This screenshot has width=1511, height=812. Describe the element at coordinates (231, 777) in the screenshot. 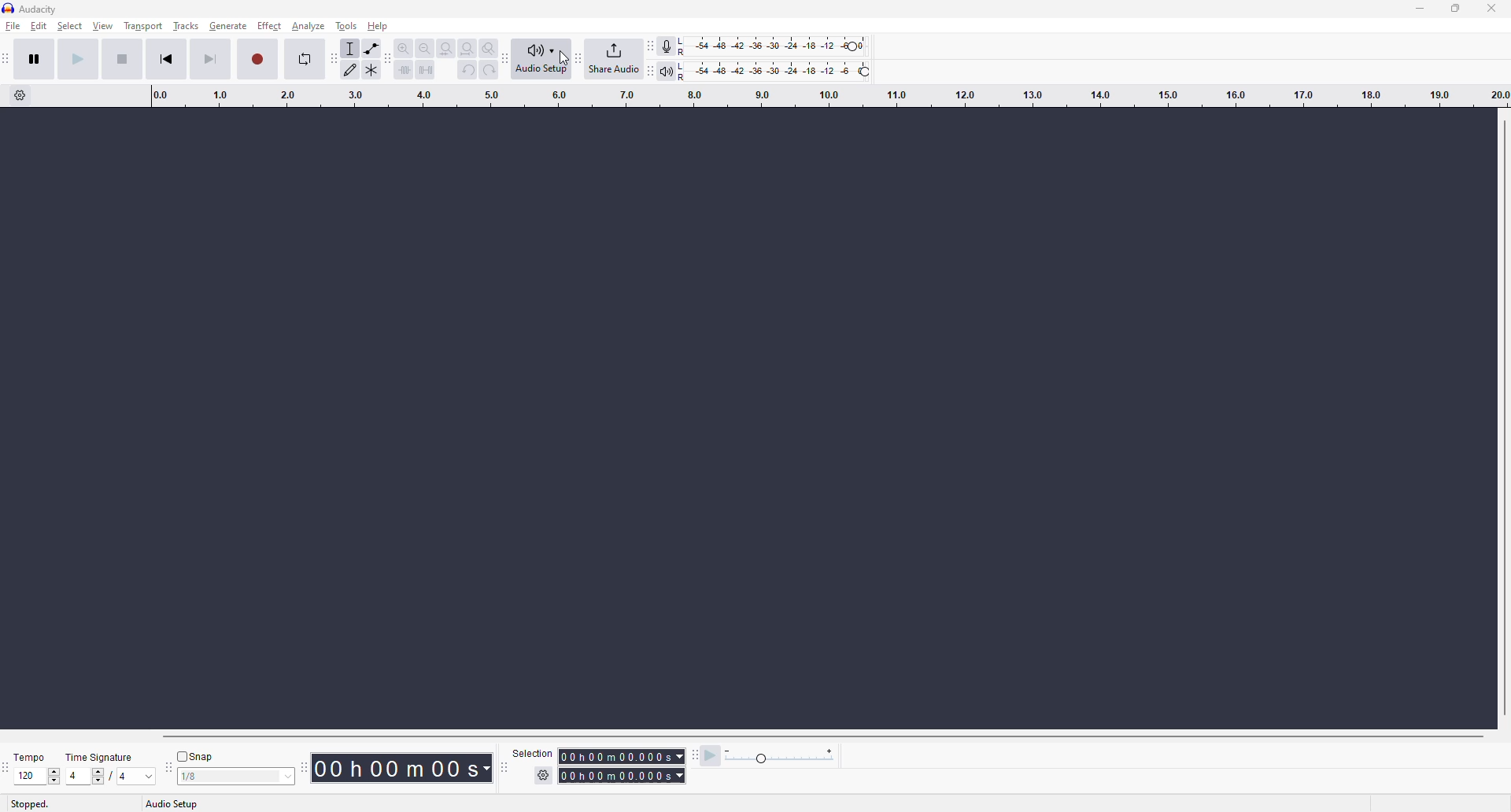

I see `value` at that location.